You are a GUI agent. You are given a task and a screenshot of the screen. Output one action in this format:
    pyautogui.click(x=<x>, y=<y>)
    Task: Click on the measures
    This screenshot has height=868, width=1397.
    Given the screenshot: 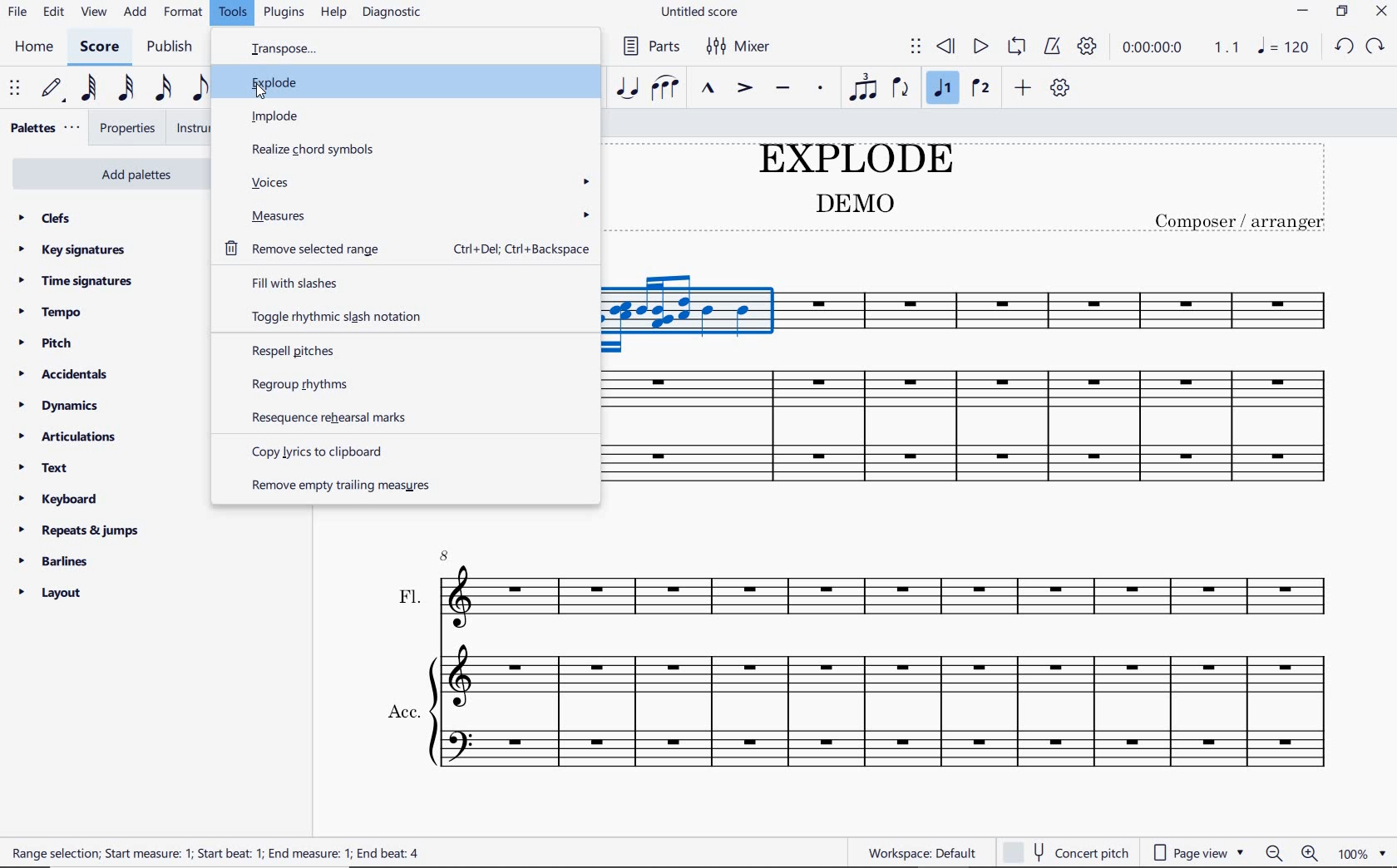 What is the action you would take?
    pyautogui.click(x=410, y=215)
    